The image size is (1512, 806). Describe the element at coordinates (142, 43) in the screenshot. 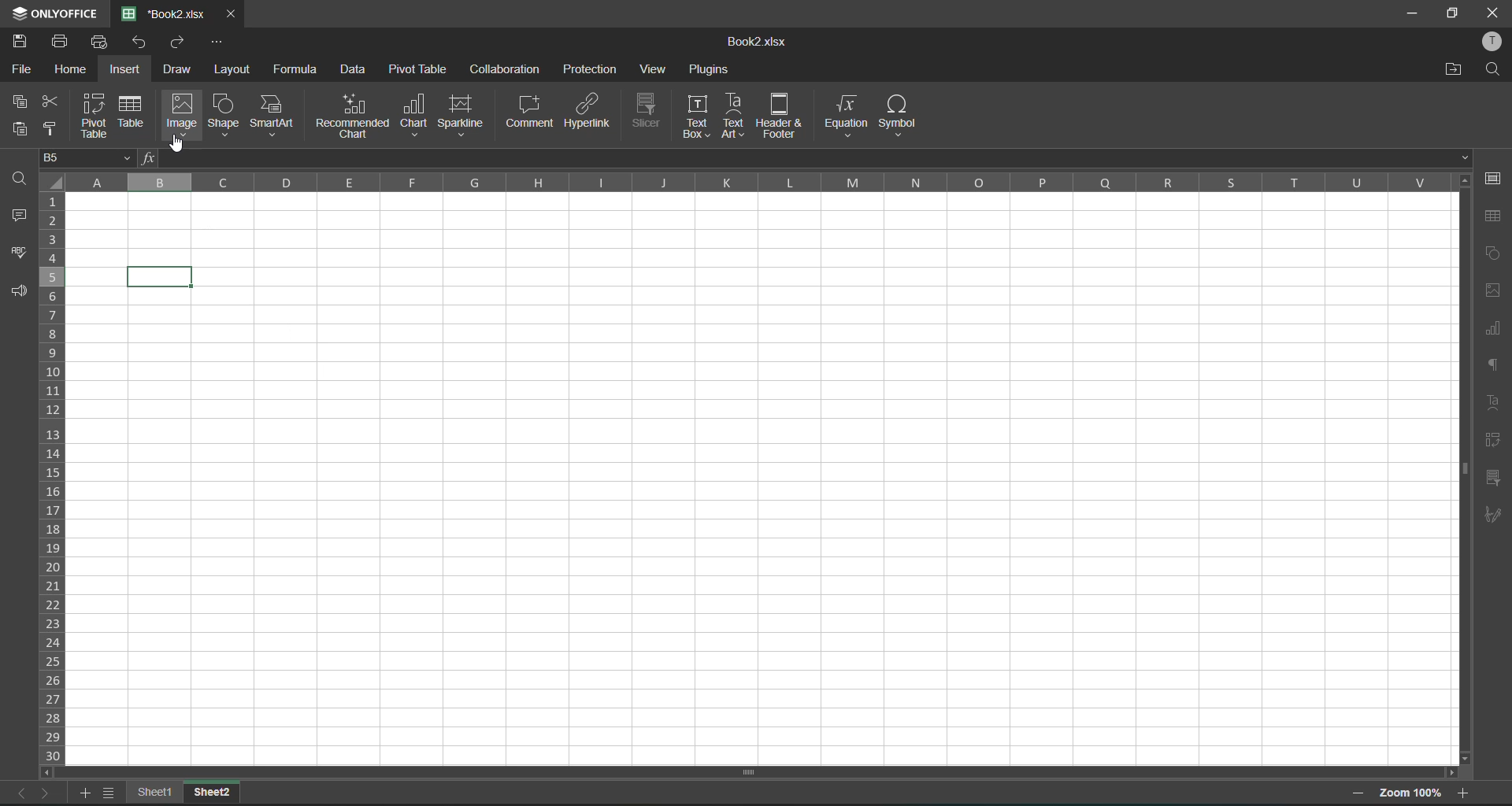

I see `undo` at that location.